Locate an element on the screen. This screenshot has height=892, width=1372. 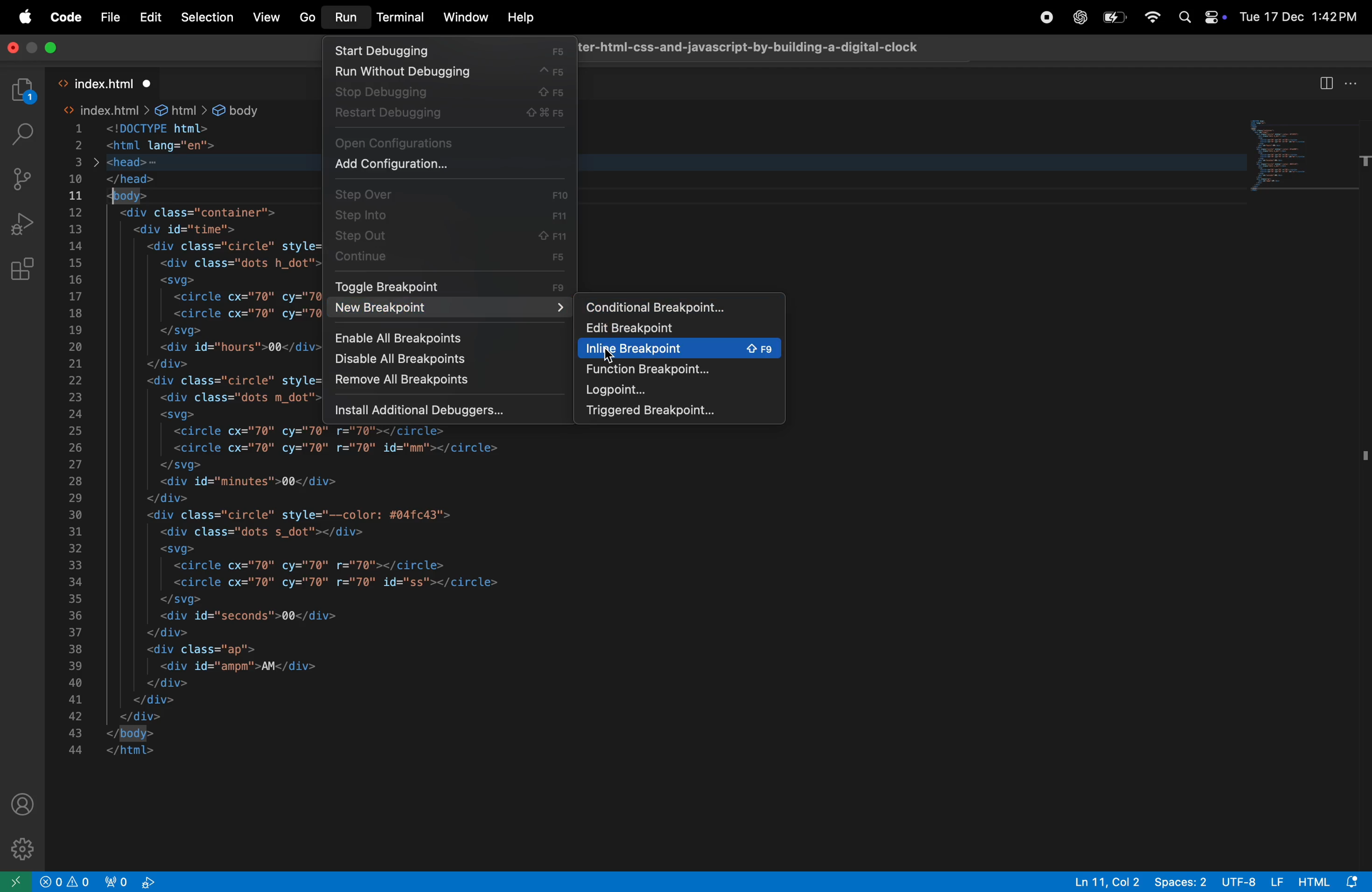
line index is located at coordinates (78, 439).